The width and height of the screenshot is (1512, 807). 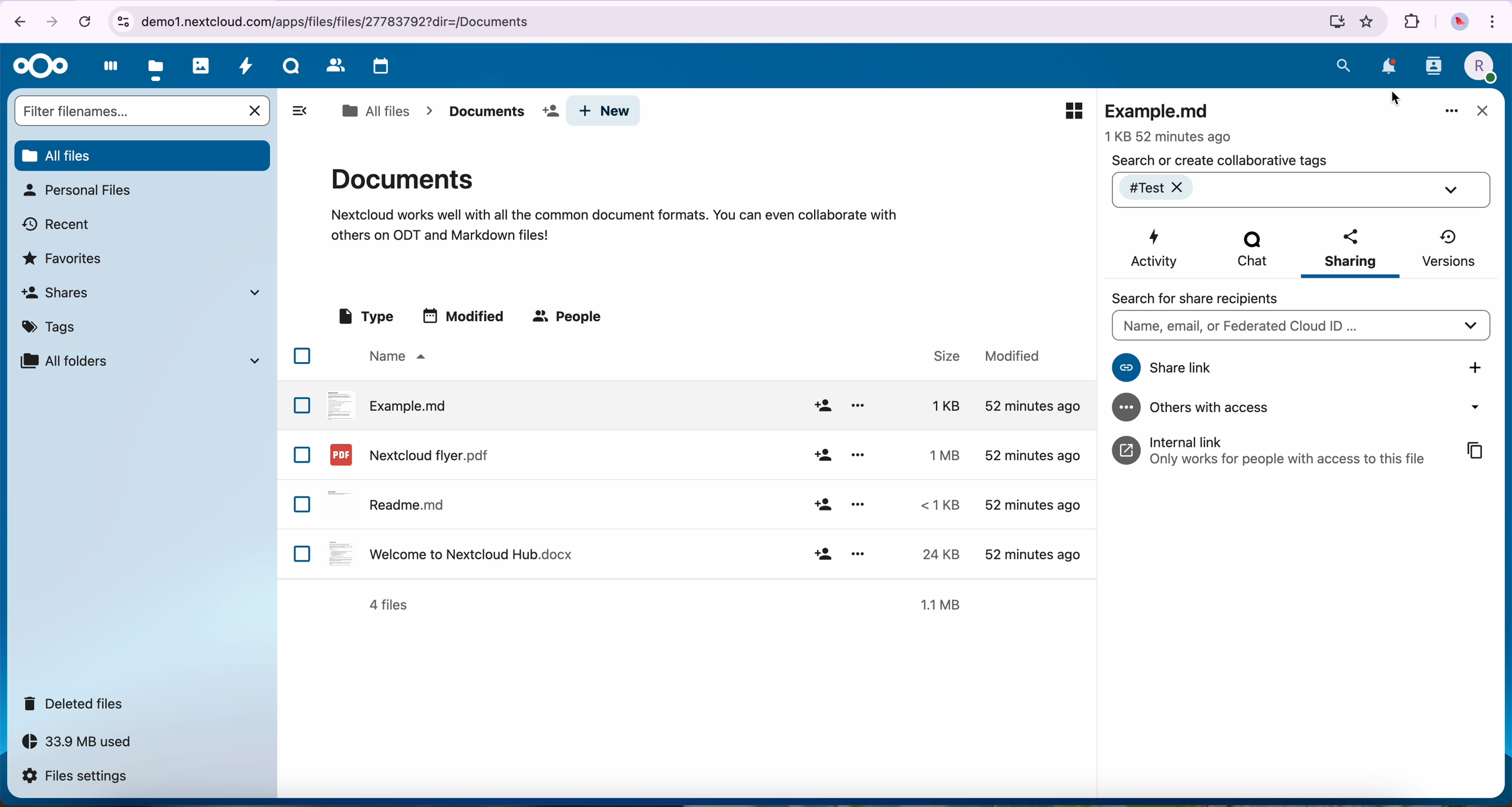 I want to click on tags, so click(x=53, y=325).